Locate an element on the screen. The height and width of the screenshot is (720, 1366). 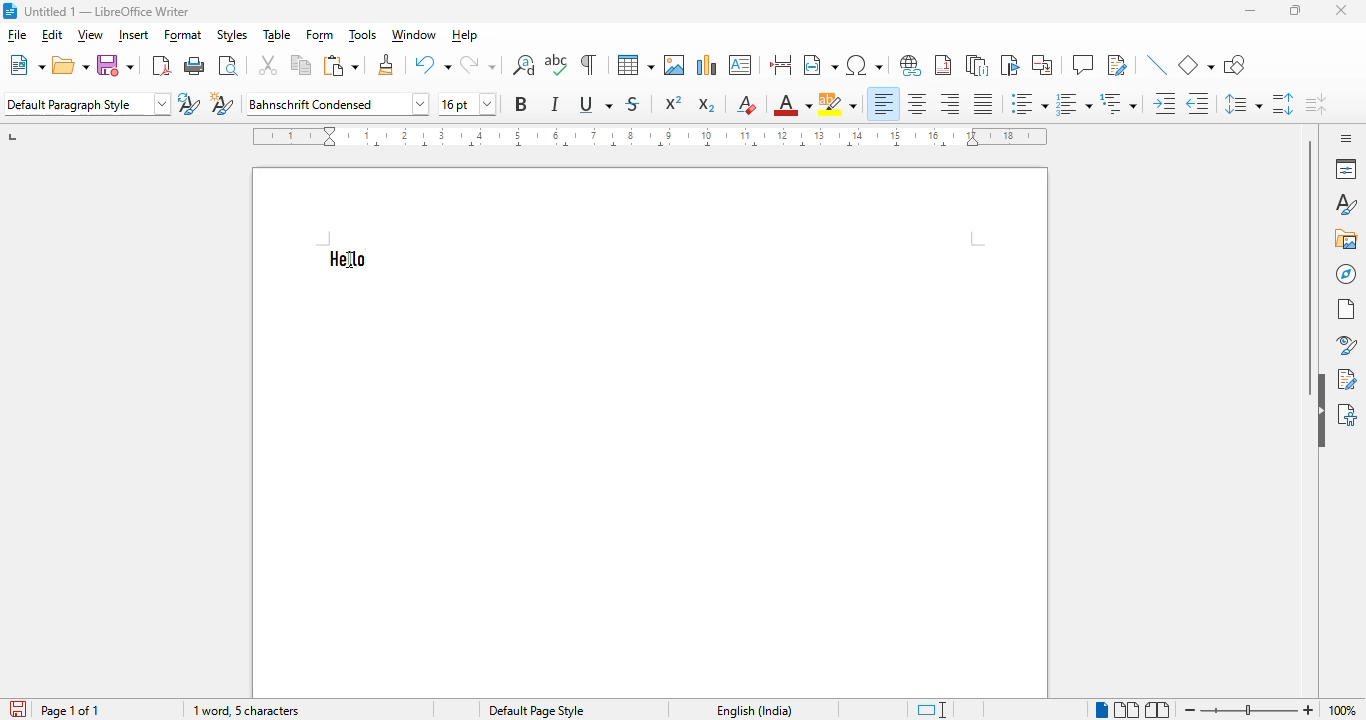
file is located at coordinates (18, 37).